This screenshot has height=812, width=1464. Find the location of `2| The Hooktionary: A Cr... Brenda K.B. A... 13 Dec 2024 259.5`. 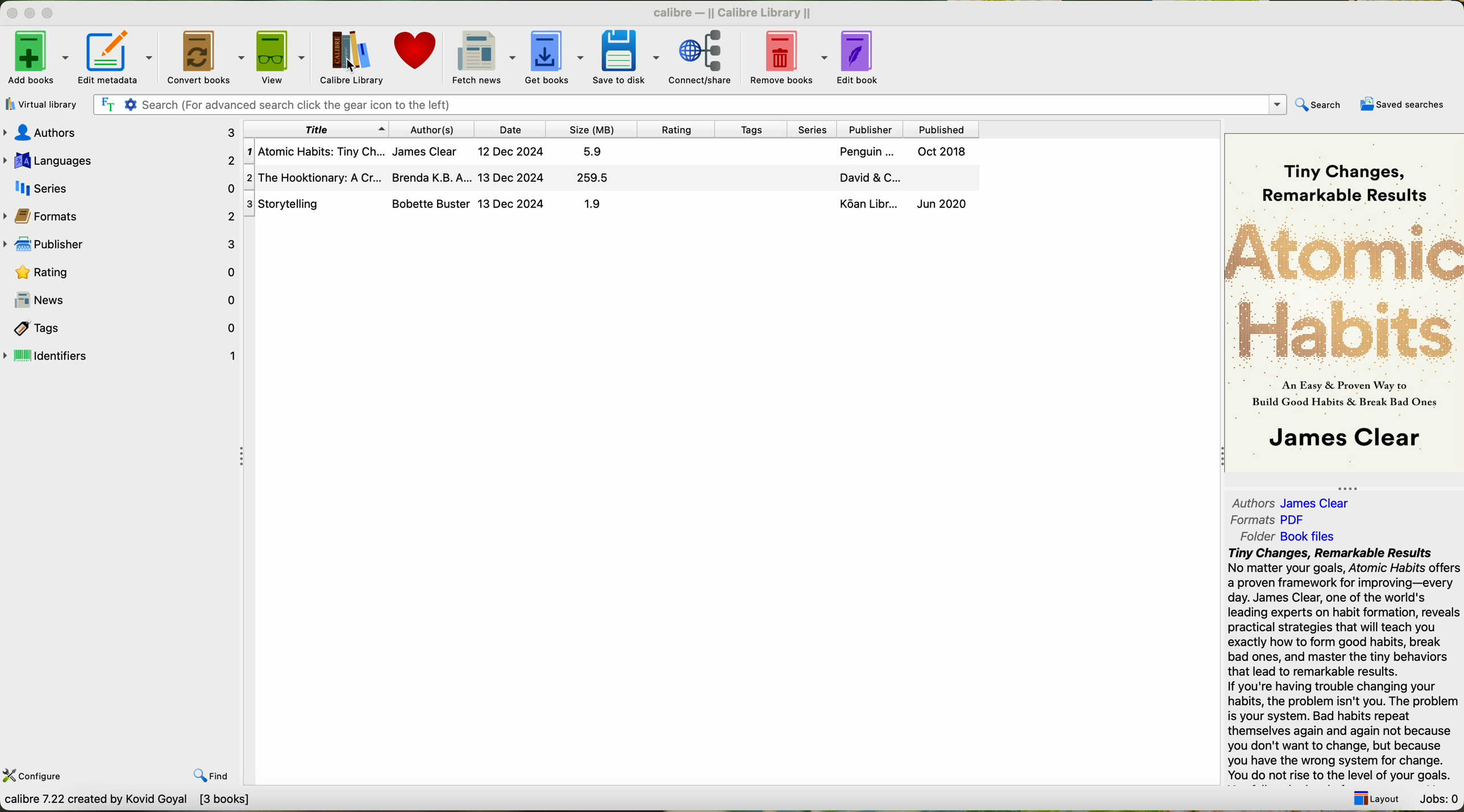

2| The Hooktionary: A Cr... Brenda K.B. A... 13 Dec 2024 259.5 is located at coordinates (437, 177).